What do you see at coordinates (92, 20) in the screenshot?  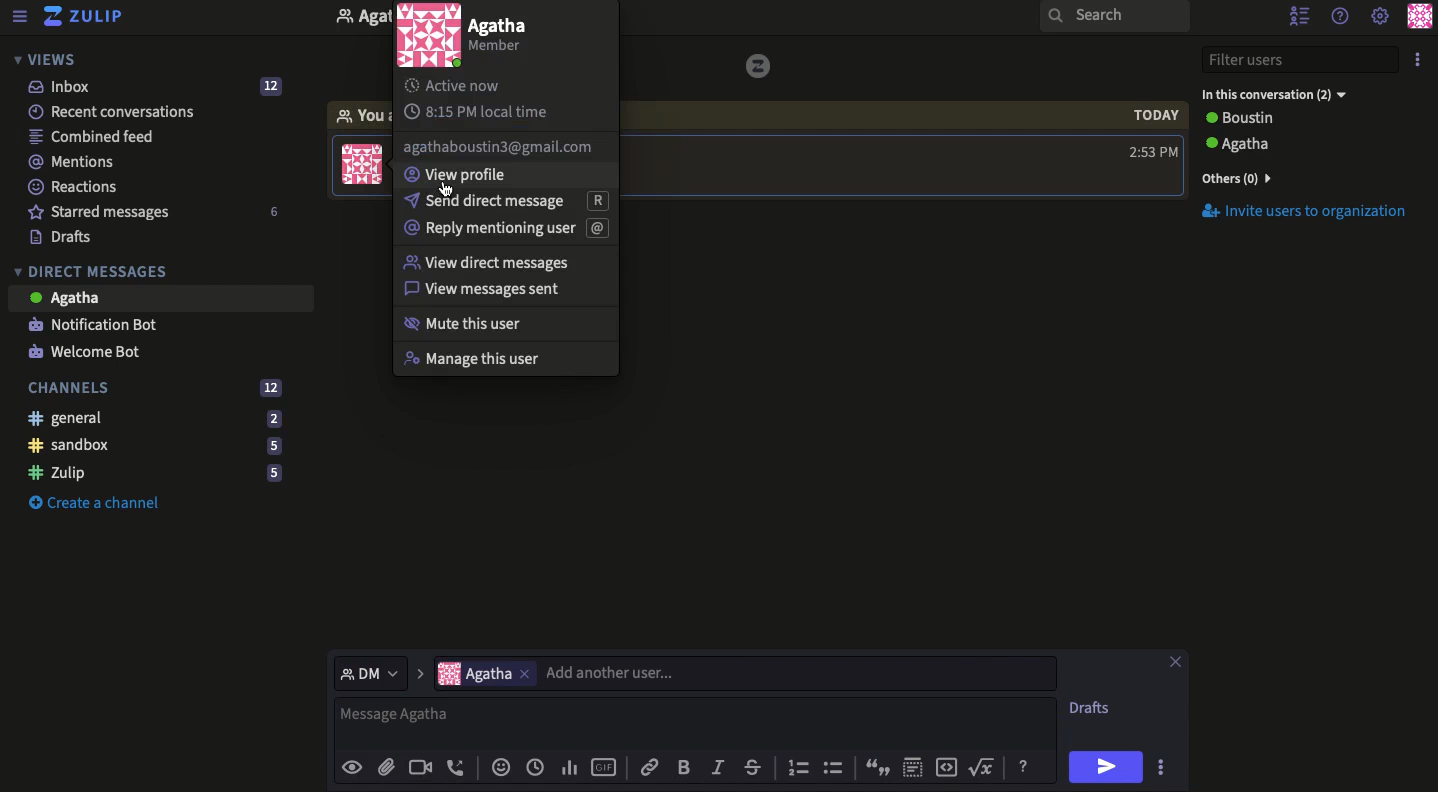 I see `Zulip` at bounding box center [92, 20].